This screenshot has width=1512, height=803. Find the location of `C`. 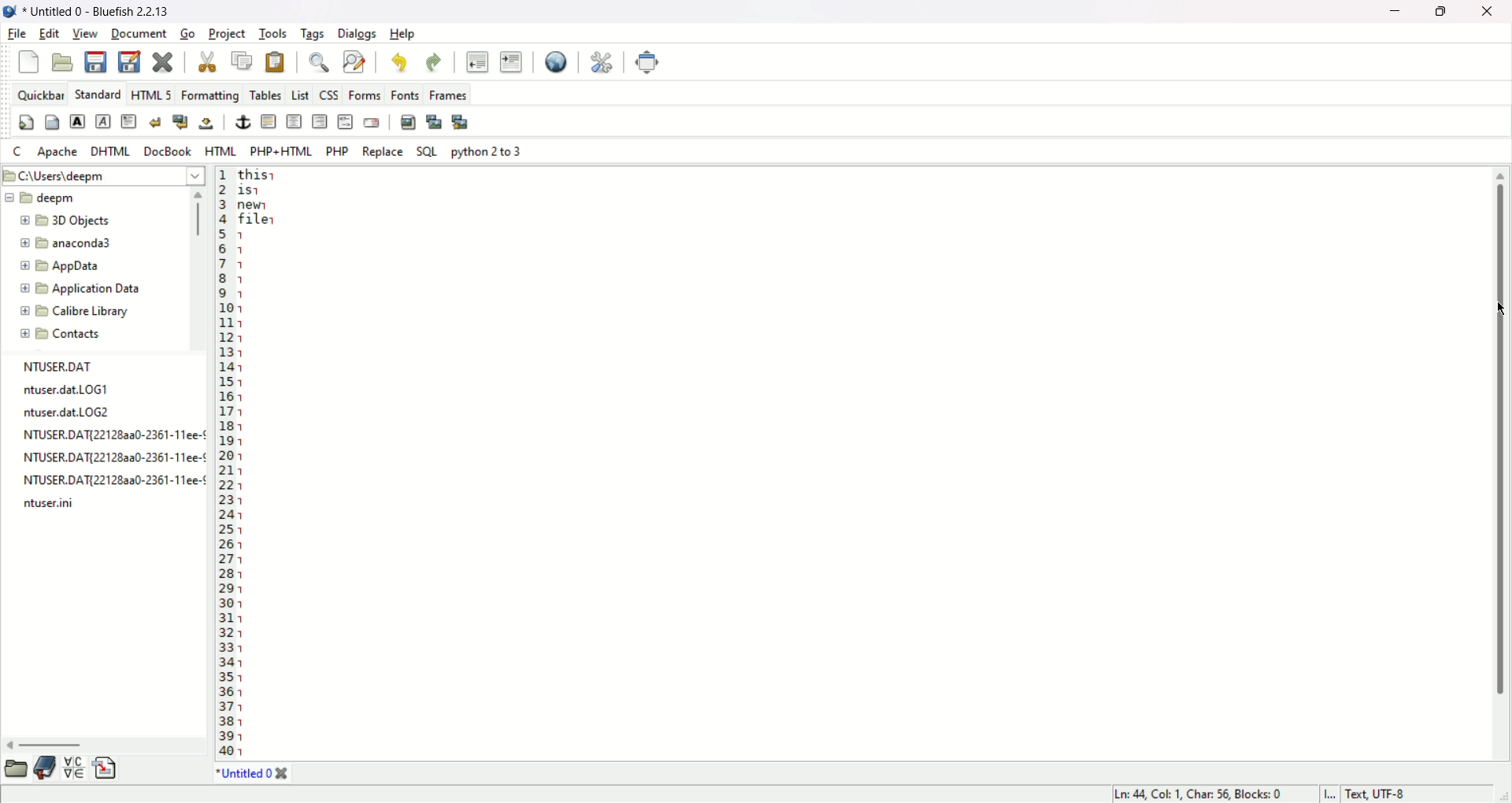

C is located at coordinates (17, 152).